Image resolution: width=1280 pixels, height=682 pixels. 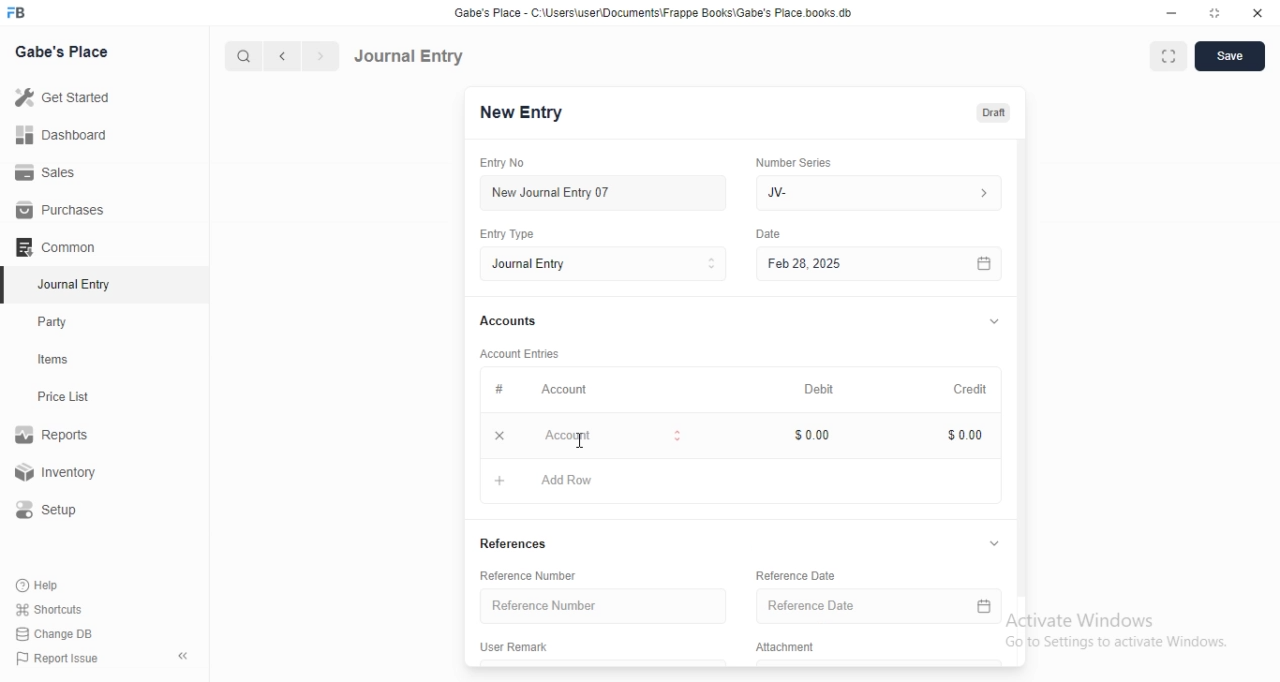 What do you see at coordinates (57, 322) in the screenshot?
I see `Party` at bounding box center [57, 322].